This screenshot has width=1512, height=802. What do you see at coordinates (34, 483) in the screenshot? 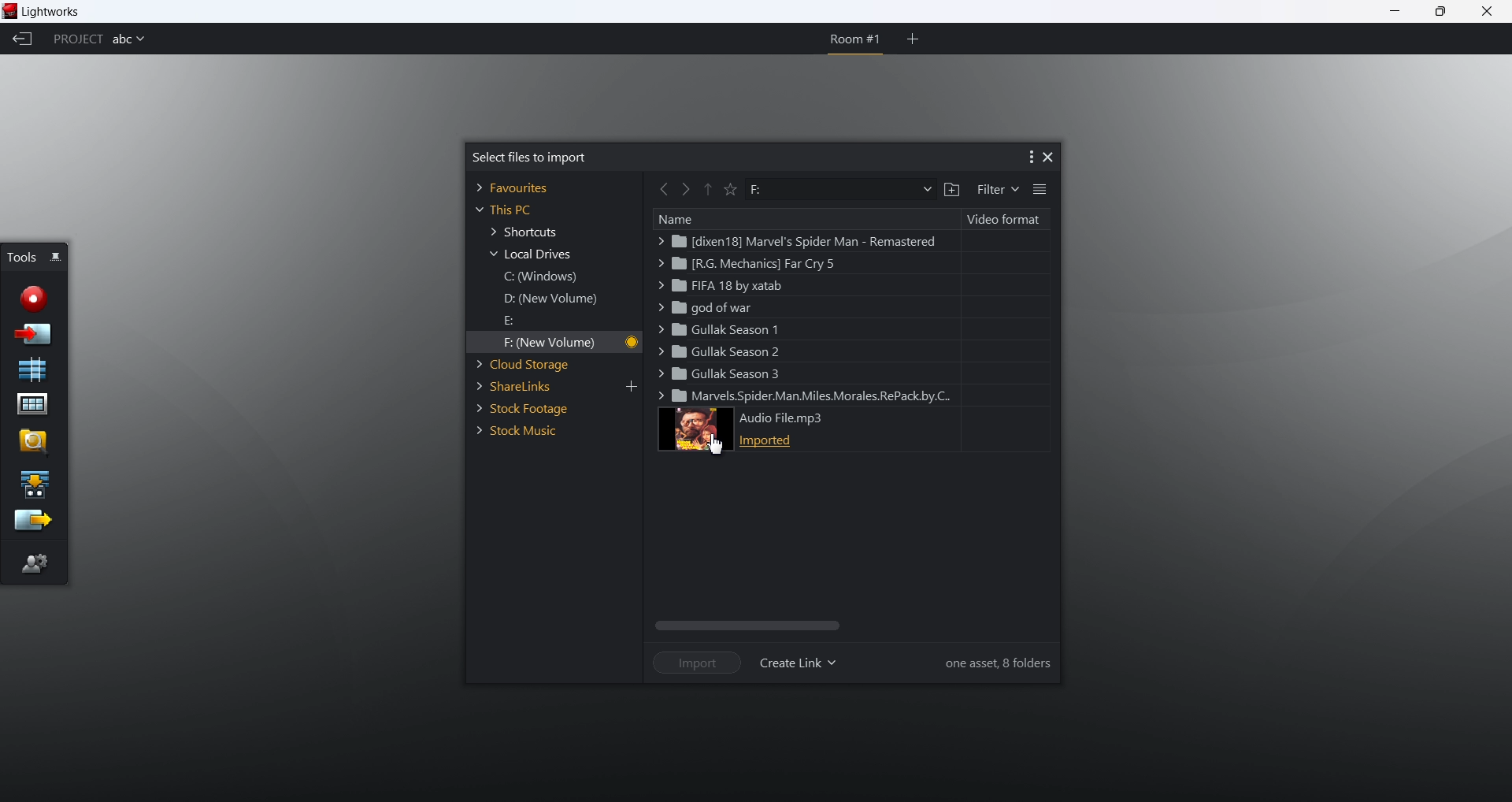
I see `play a sequence` at bounding box center [34, 483].